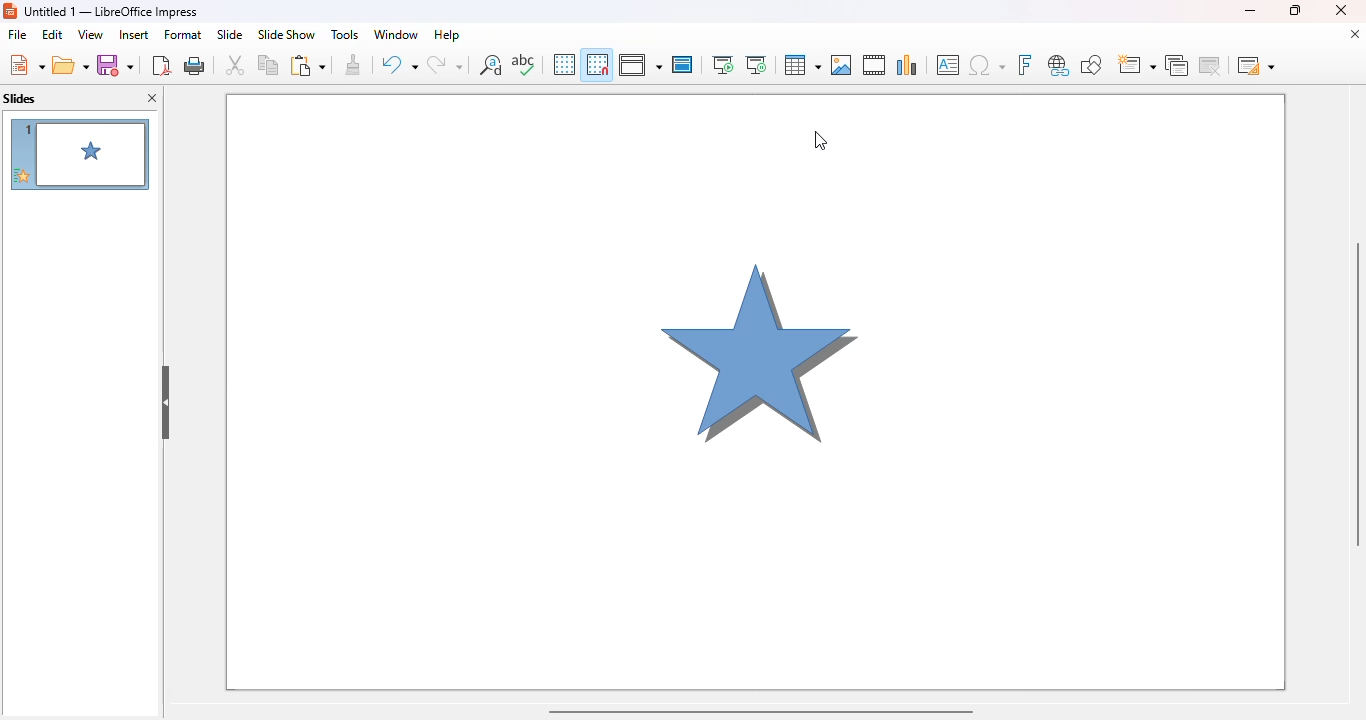 The width and height of the screenshot is (1366, 720). I want to click on slide layout, so click(1256, 65).